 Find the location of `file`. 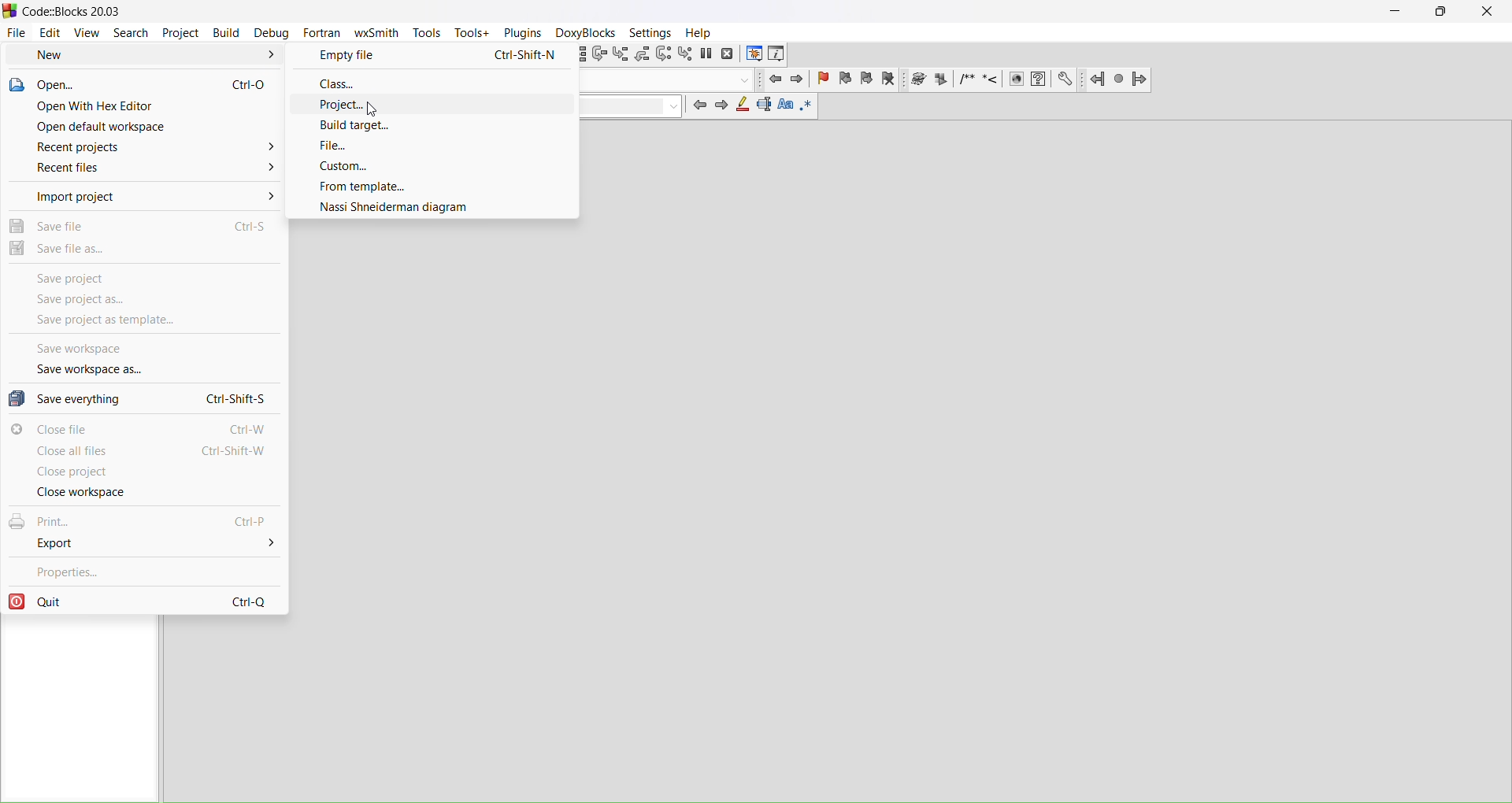

file is located at coordinates (15, 32).